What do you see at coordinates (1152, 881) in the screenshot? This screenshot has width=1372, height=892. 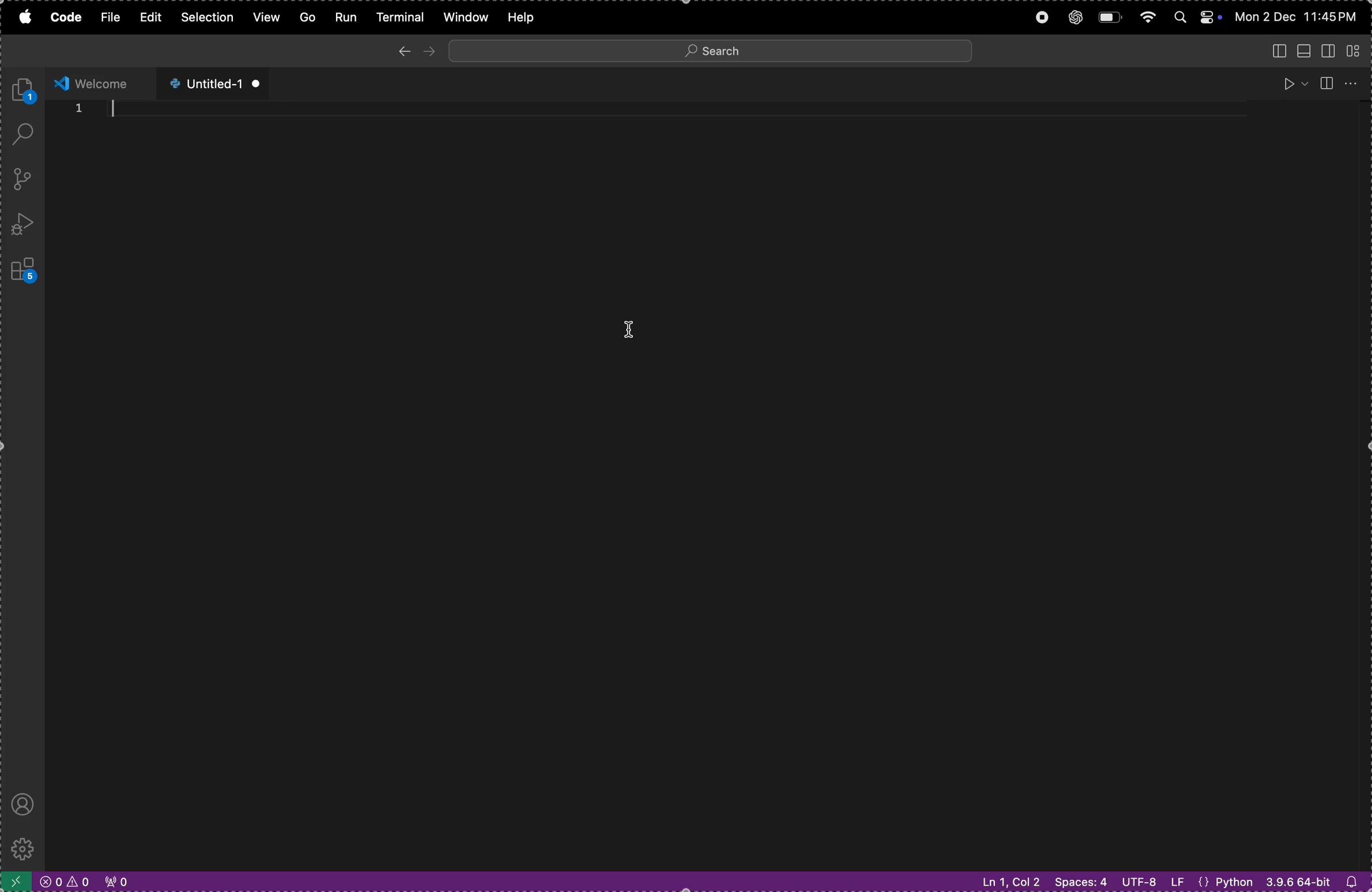 I see `utf 8` at bounding box center [1152, 881].